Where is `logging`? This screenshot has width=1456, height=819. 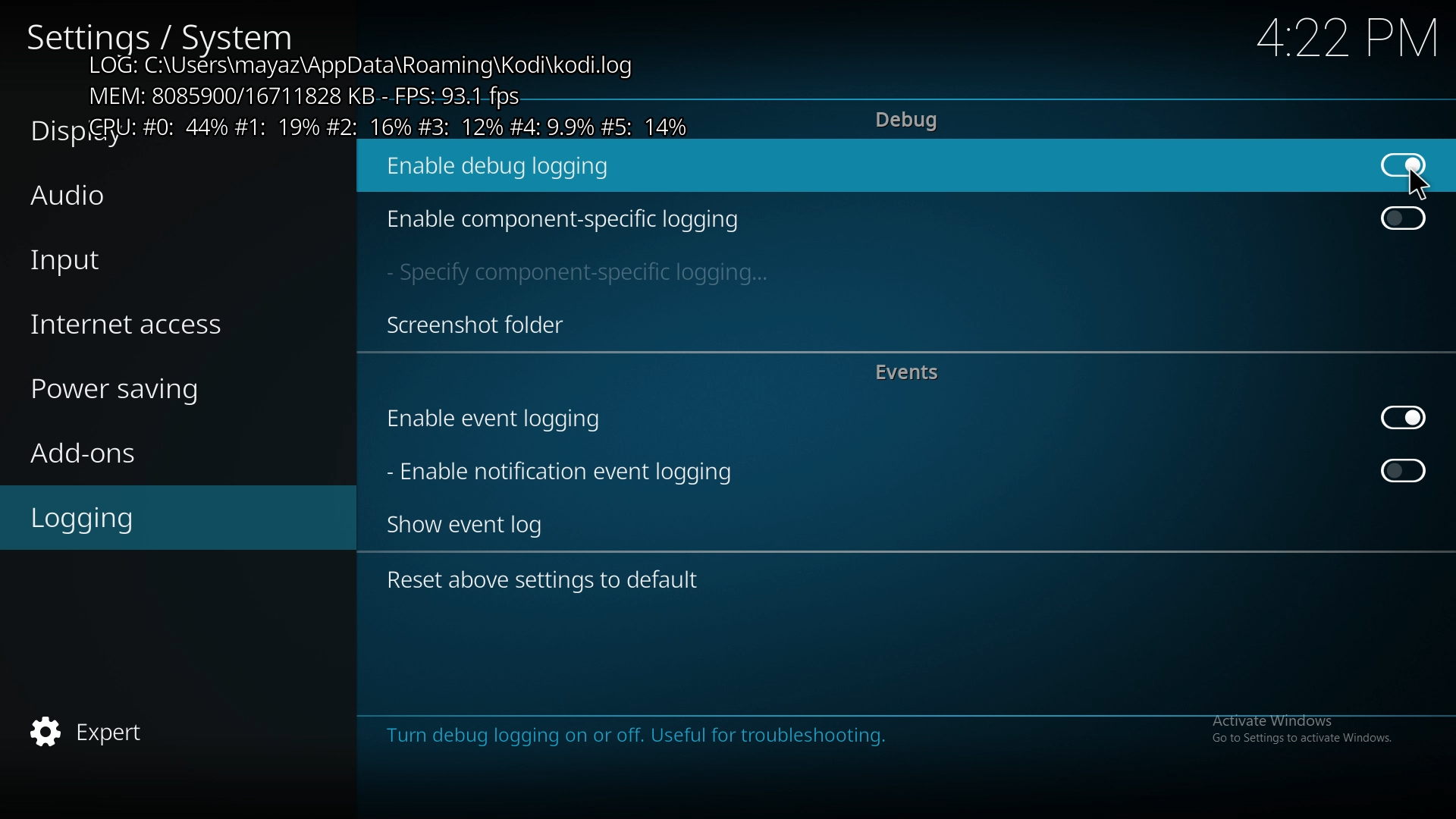 logging is located at coordinates (151, 519).